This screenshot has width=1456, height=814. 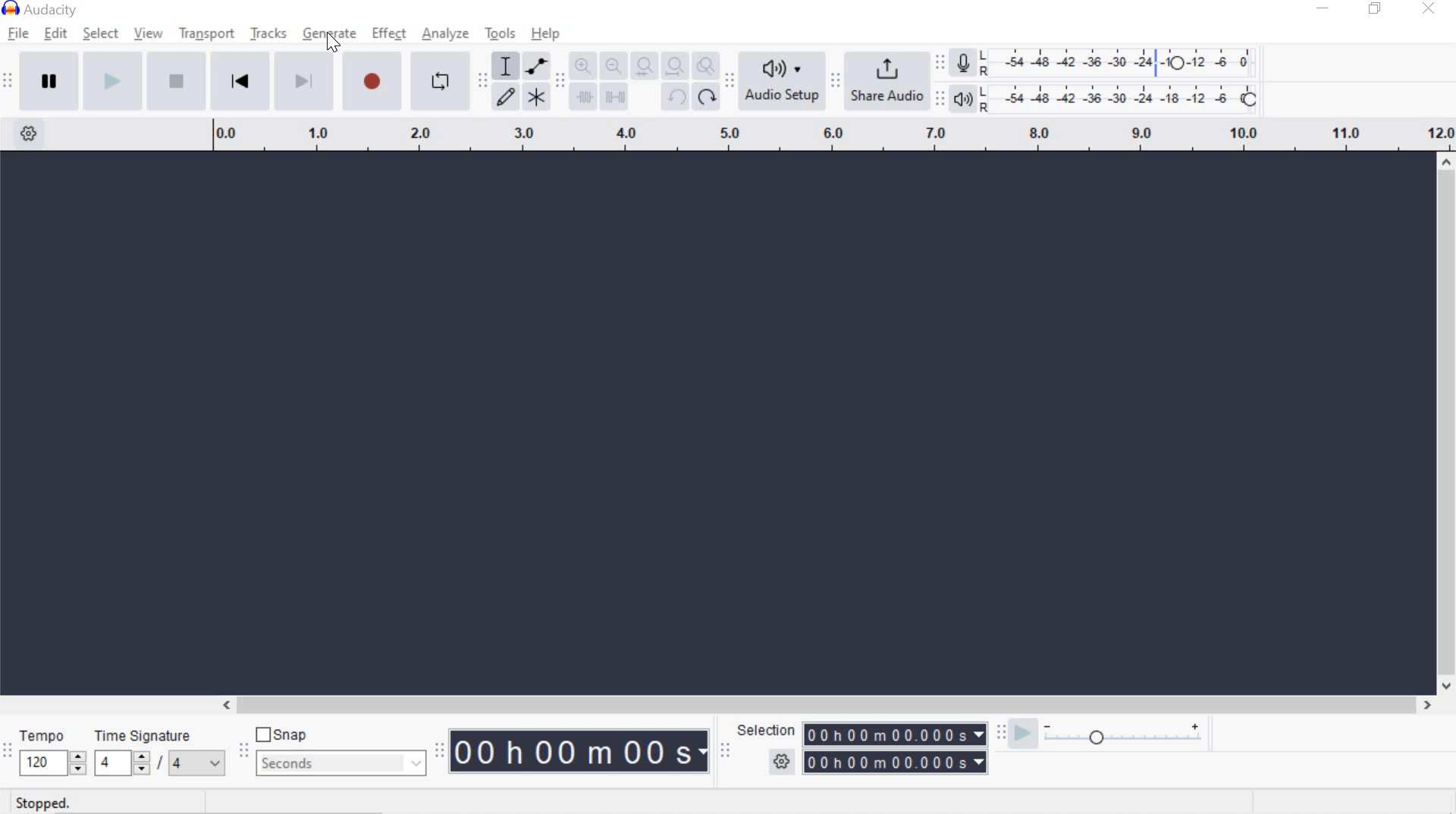 I want to click on Time signature, so click(x=156, y=750).